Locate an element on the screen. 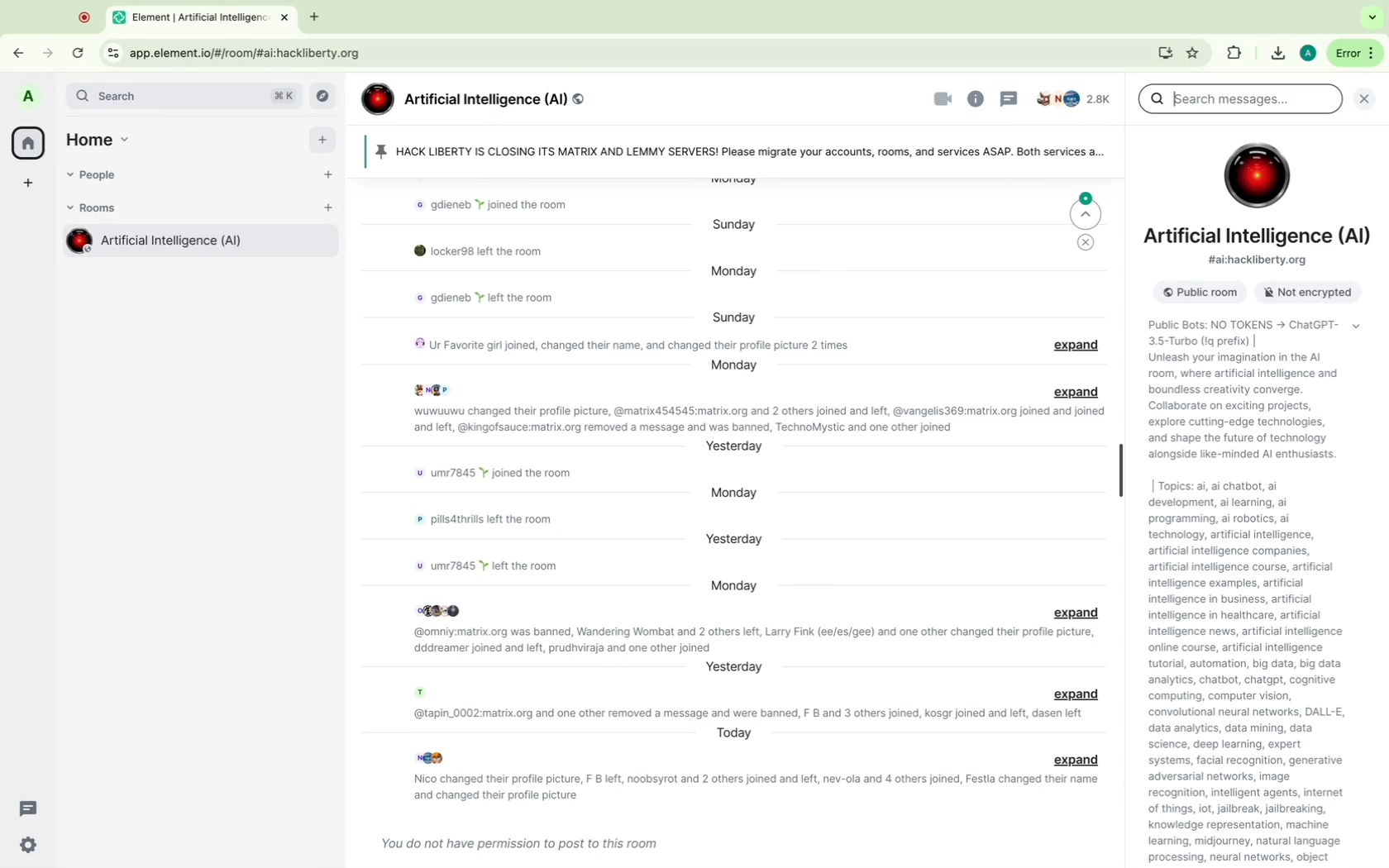  day is located at coordinates (737, 539).